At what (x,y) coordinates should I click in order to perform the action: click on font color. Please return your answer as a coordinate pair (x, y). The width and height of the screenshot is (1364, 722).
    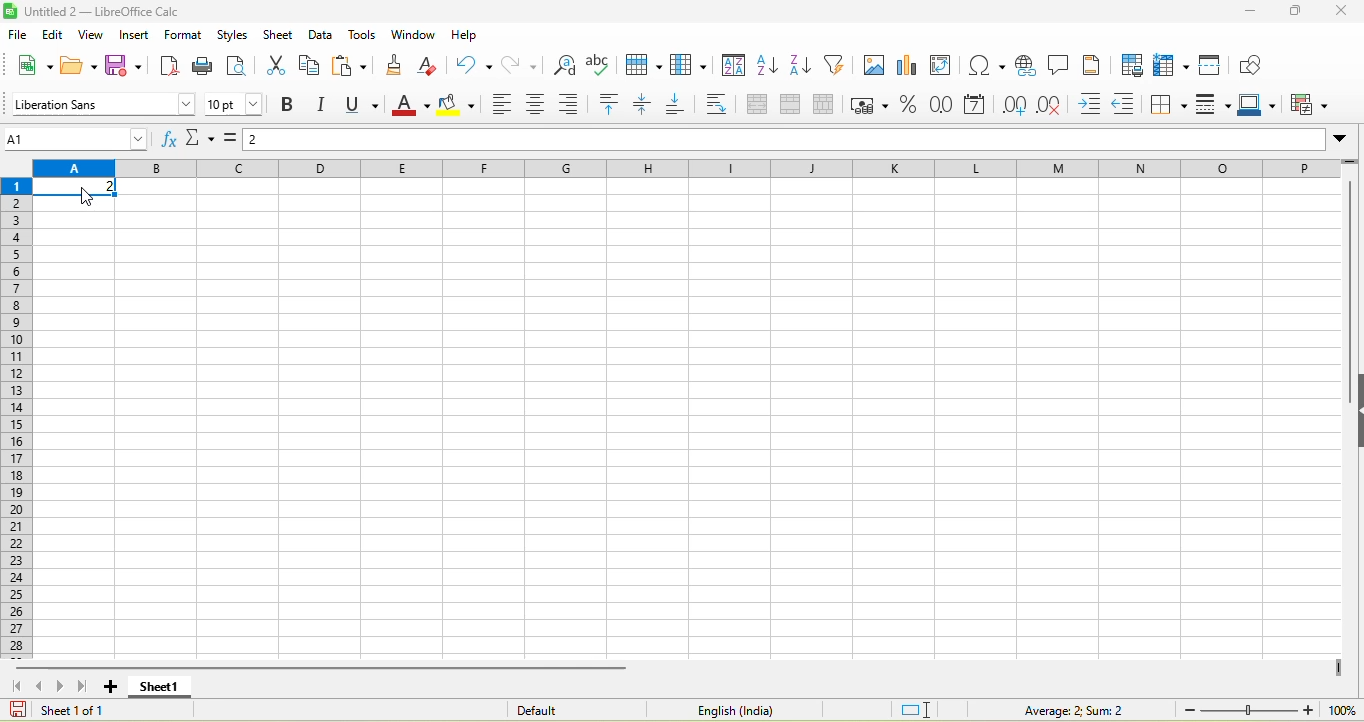
    Looking at the image, I should click on (416, 106).